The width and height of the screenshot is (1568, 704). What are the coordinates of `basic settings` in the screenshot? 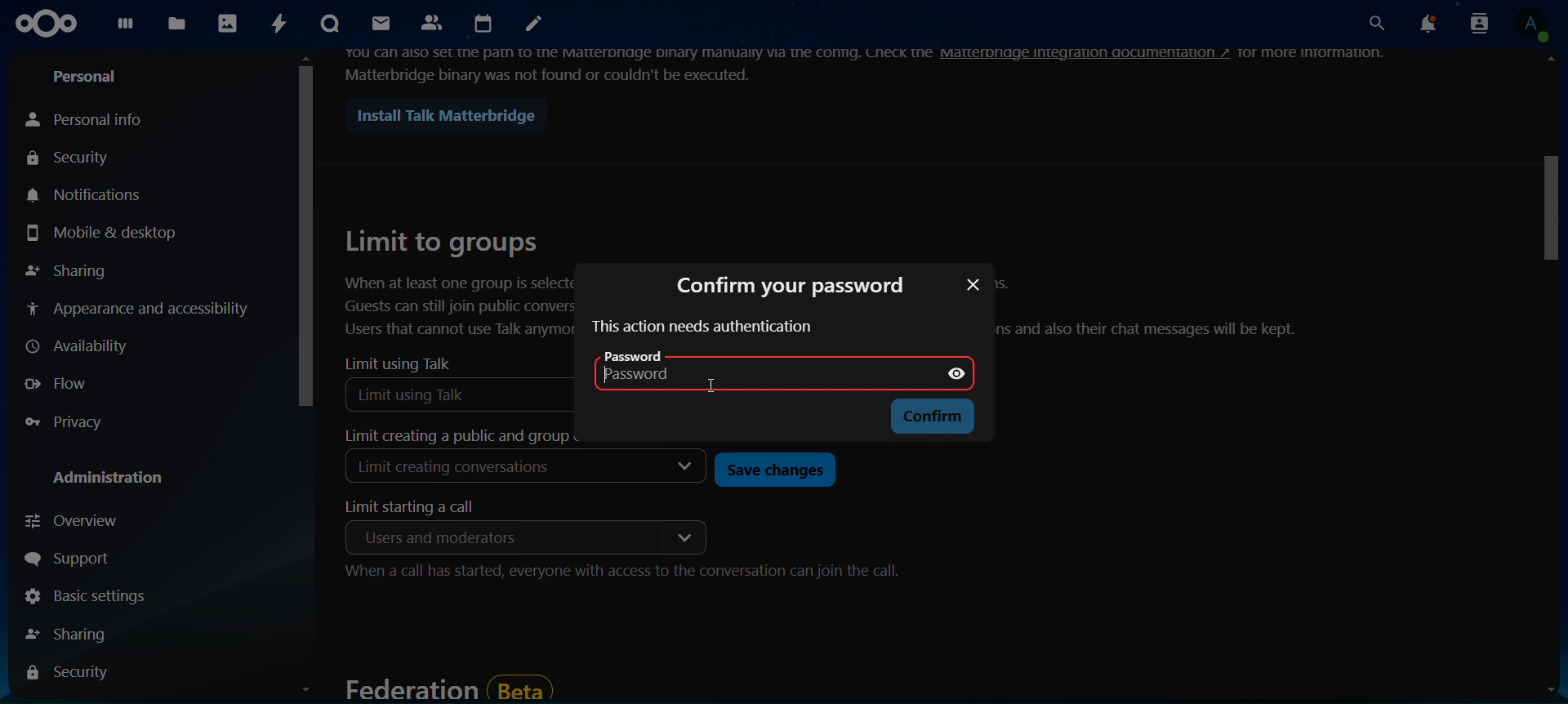 It's located at (84, 599).